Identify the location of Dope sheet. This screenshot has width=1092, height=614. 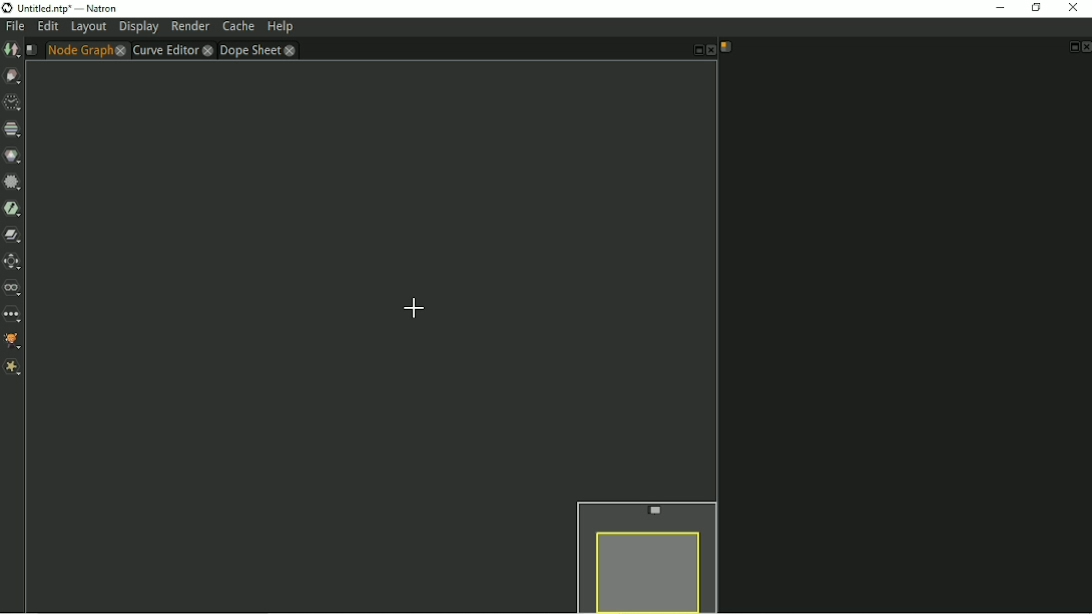
(258, 50).